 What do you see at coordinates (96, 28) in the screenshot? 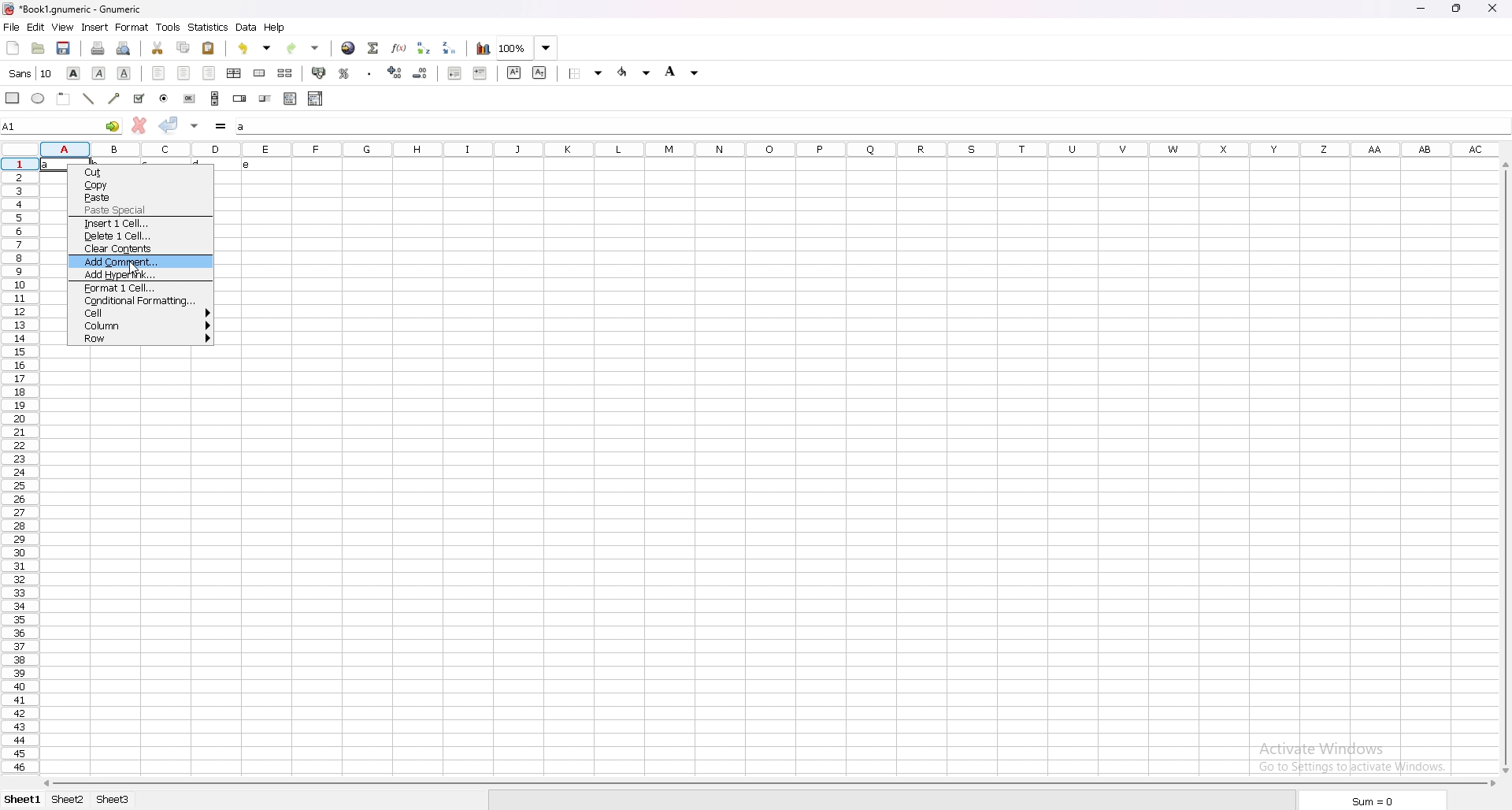
I see `insert` at bounding box center [96, 28].